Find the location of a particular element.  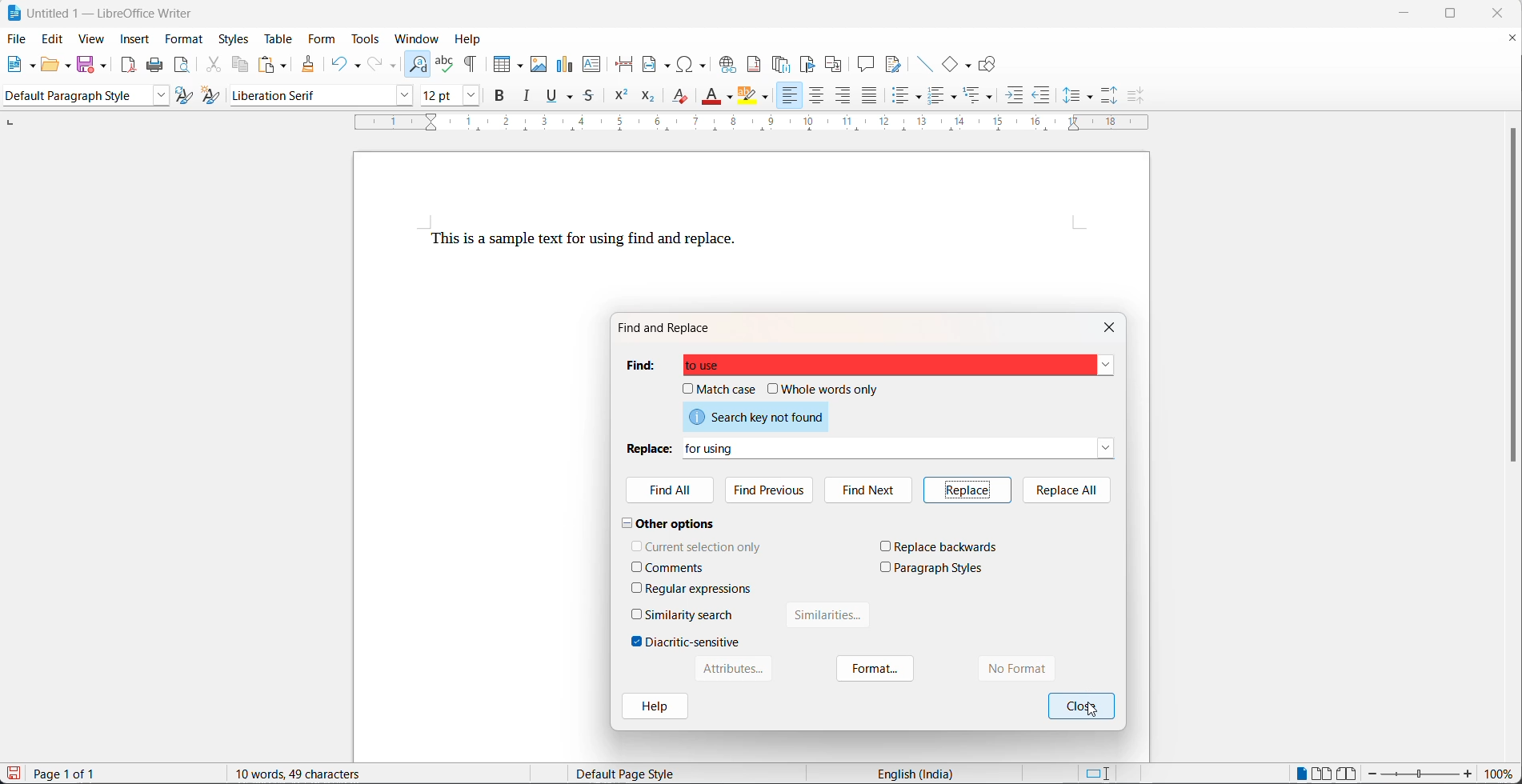

style options is located at coordinates (157, 96).